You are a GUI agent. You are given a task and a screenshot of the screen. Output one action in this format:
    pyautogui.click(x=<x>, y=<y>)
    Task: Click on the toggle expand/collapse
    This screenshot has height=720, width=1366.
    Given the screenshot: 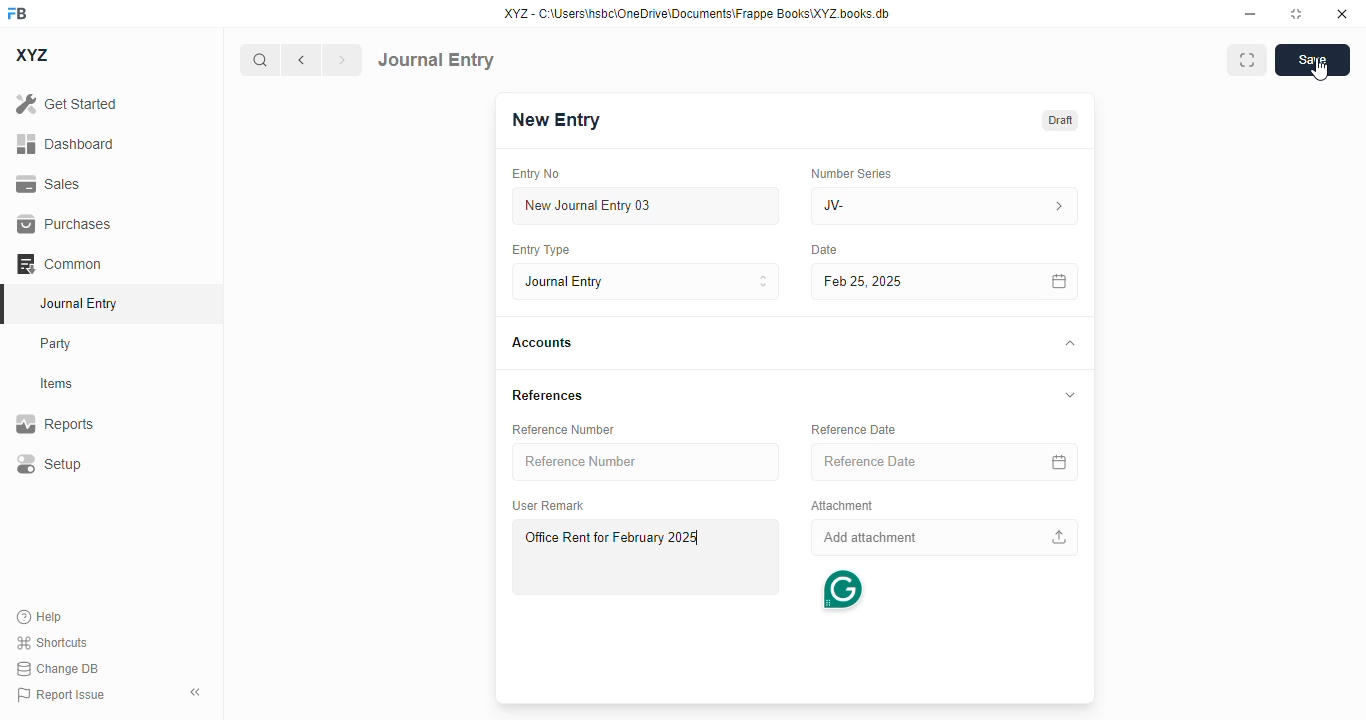 What is the action you would take?
    pyautogui.click(x=1066, y=343)
    